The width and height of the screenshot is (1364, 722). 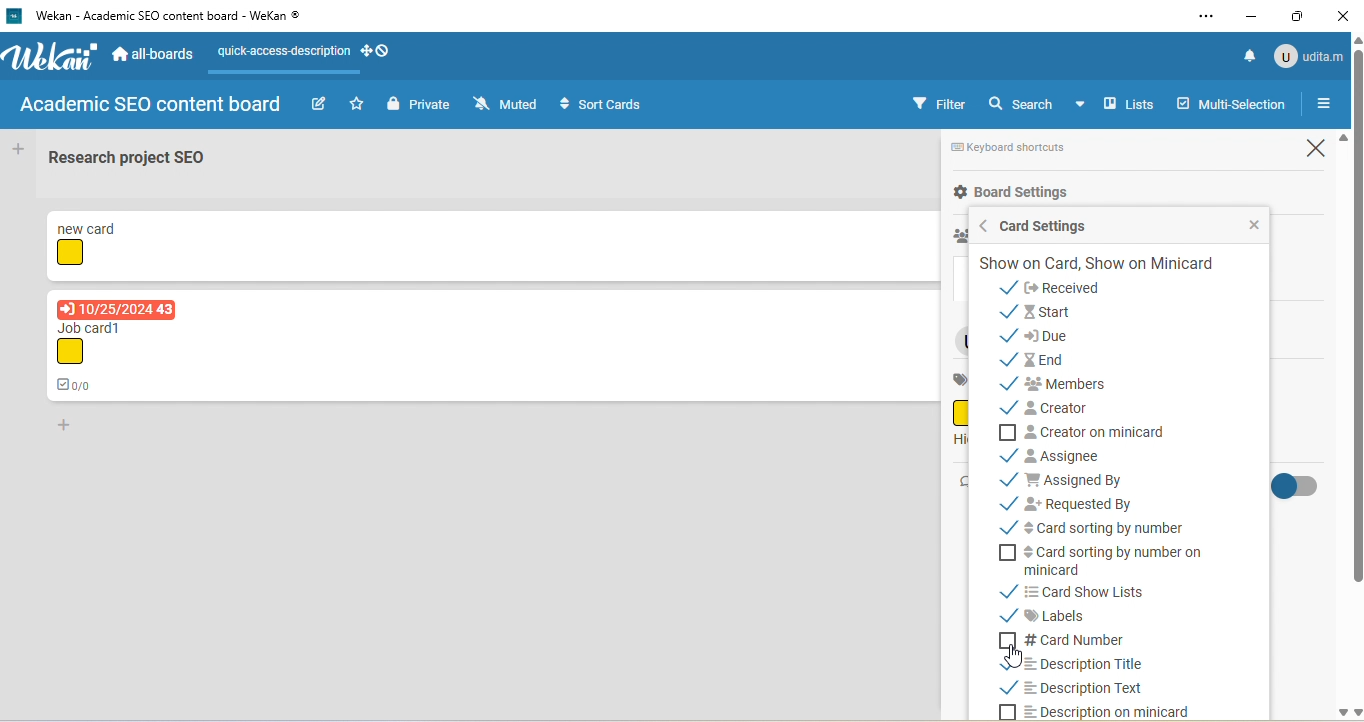 What do you see at coordinates (1070, 501) in the screenshot?
I see `requested by` at bounding box center [1070, 501].